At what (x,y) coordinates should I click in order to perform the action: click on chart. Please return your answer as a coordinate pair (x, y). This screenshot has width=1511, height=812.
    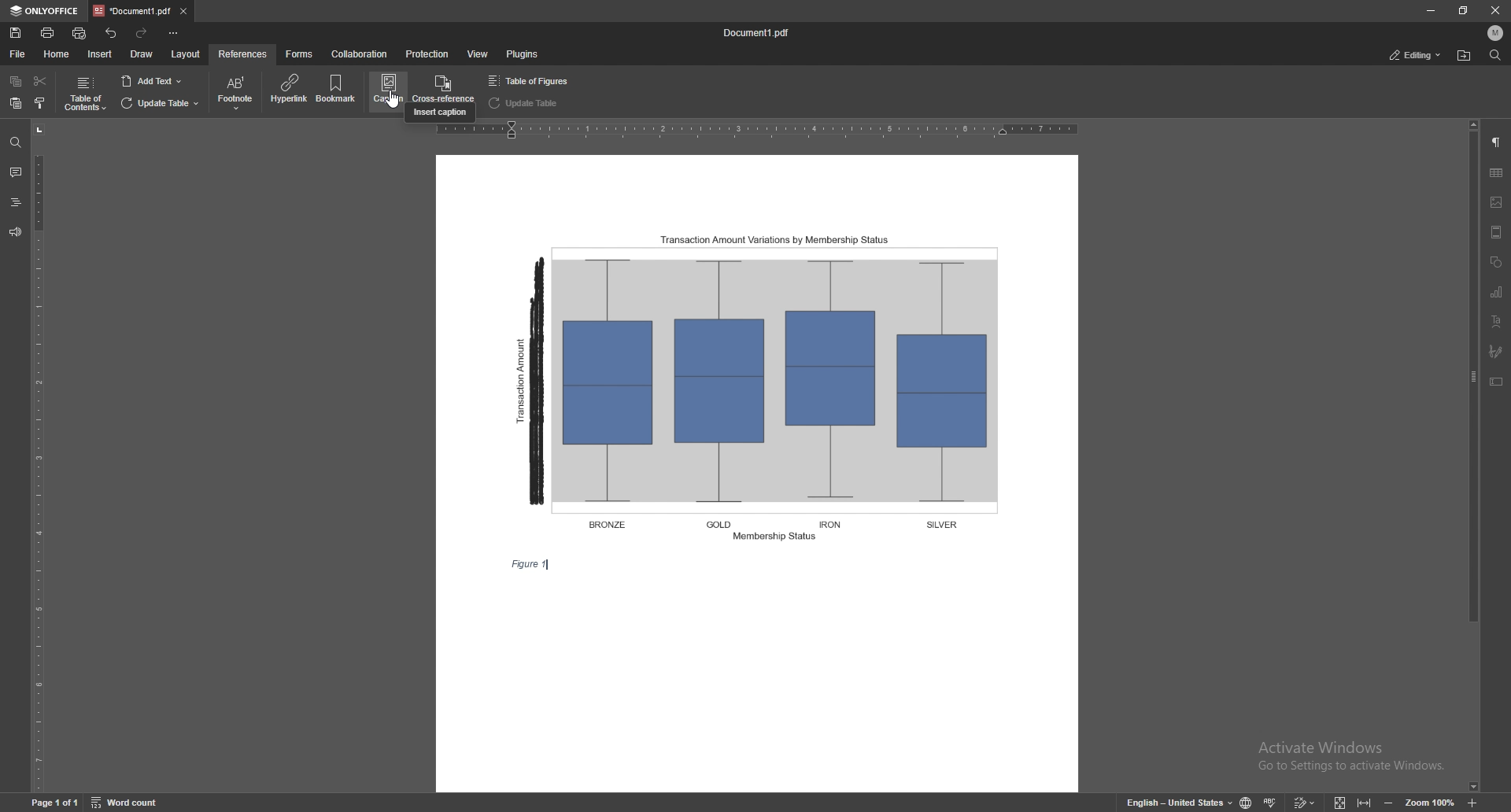
    Looking at the image, I should click on (1498, 291).